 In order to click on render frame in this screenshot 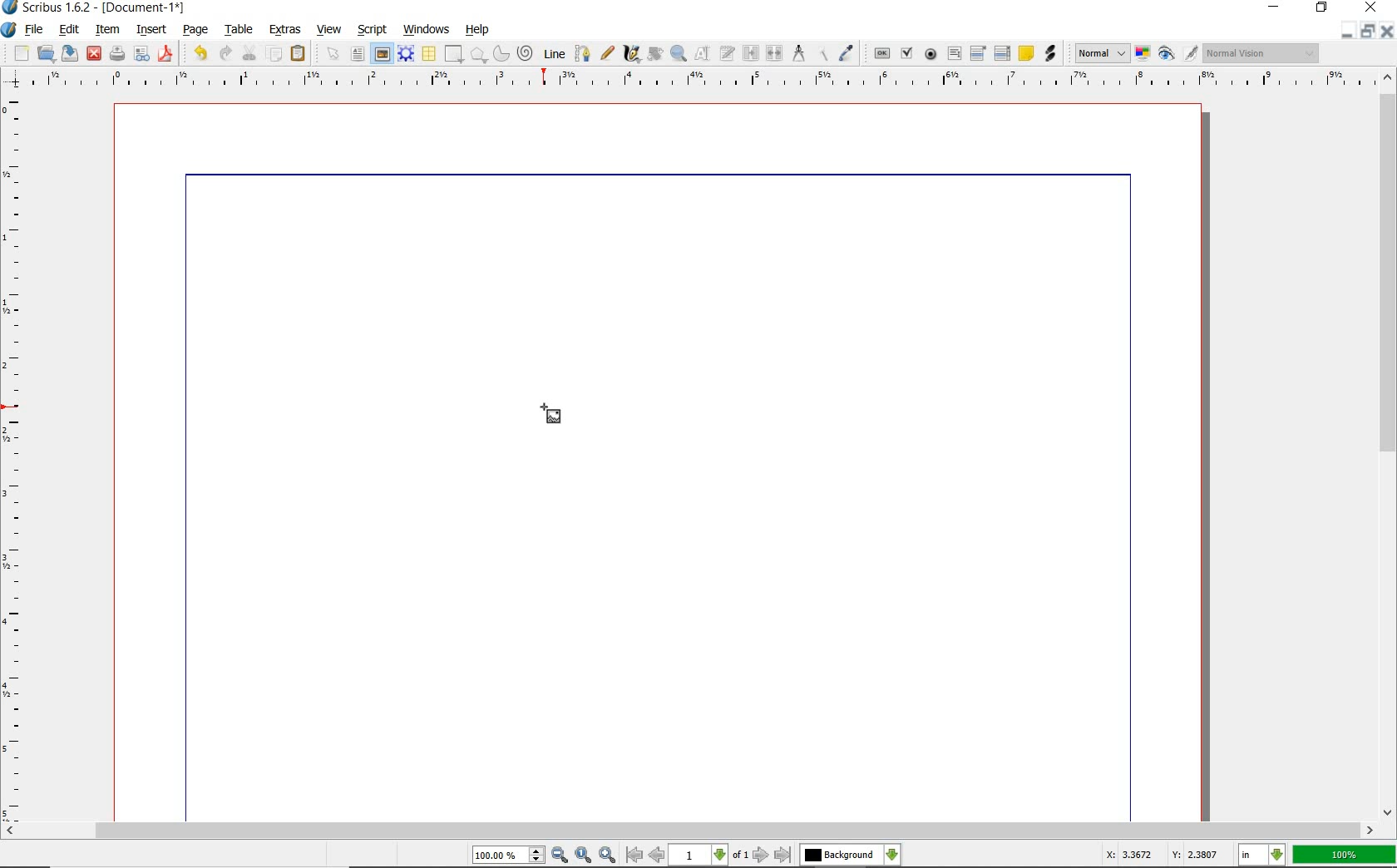, I will do `click(407, 54)`.